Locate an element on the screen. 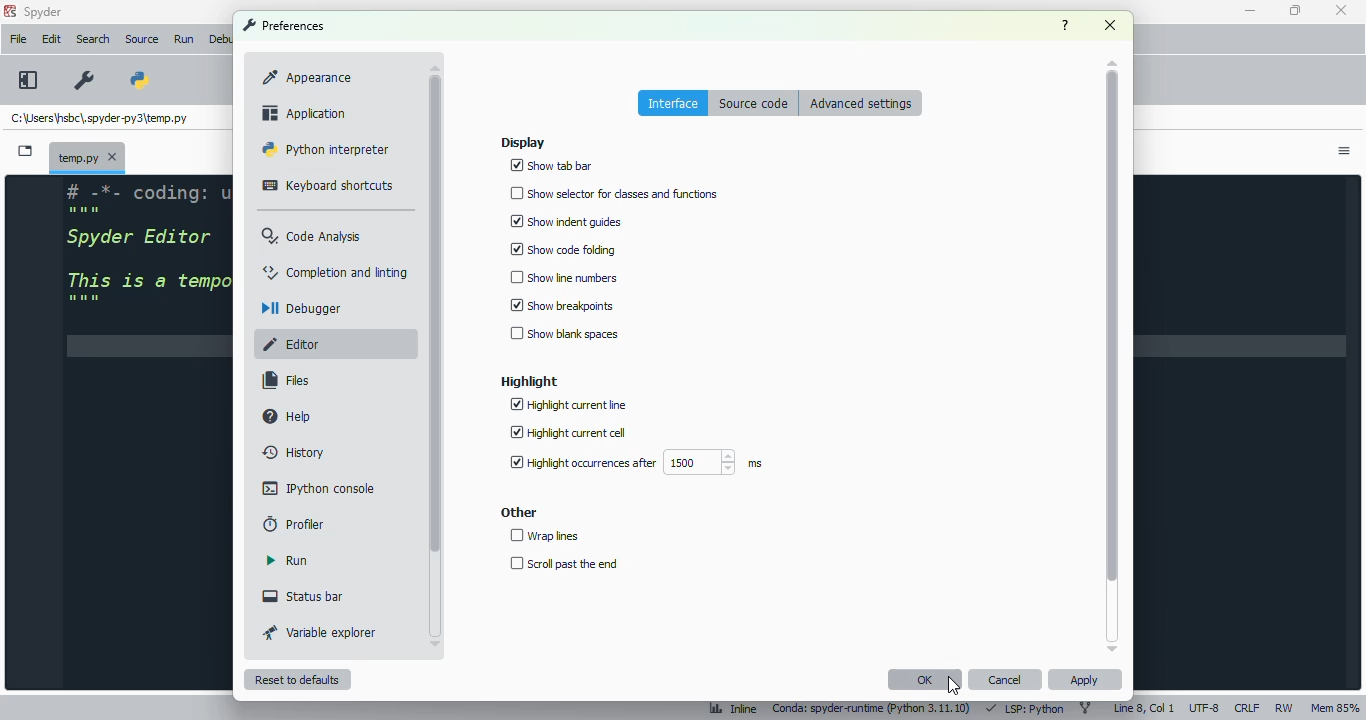  code analysis is located at coordinates (312, 236).